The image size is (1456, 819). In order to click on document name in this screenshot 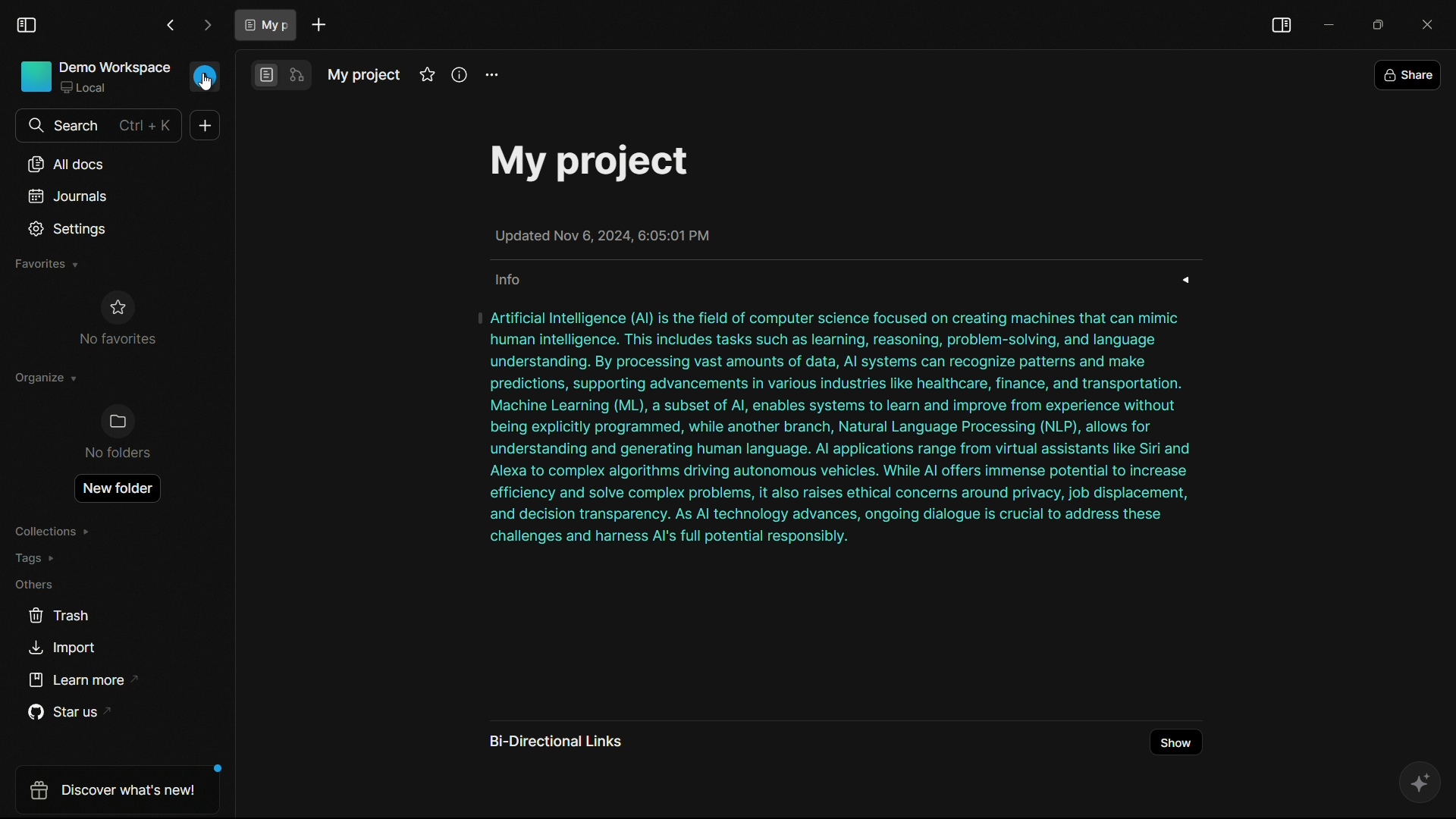, I will do `click(365, 76)`.